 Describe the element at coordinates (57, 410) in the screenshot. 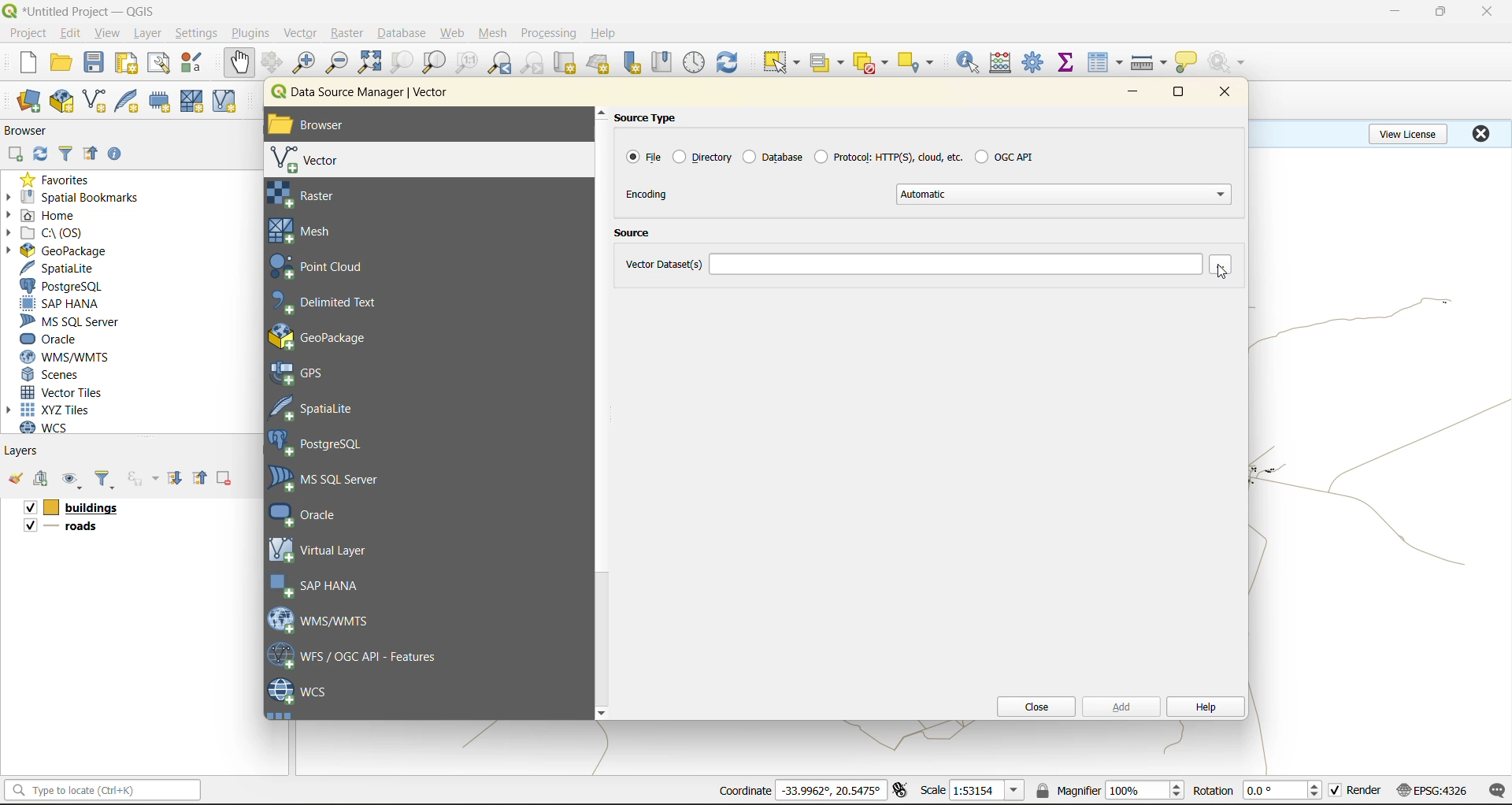

I see `xyz tiles` at that location.